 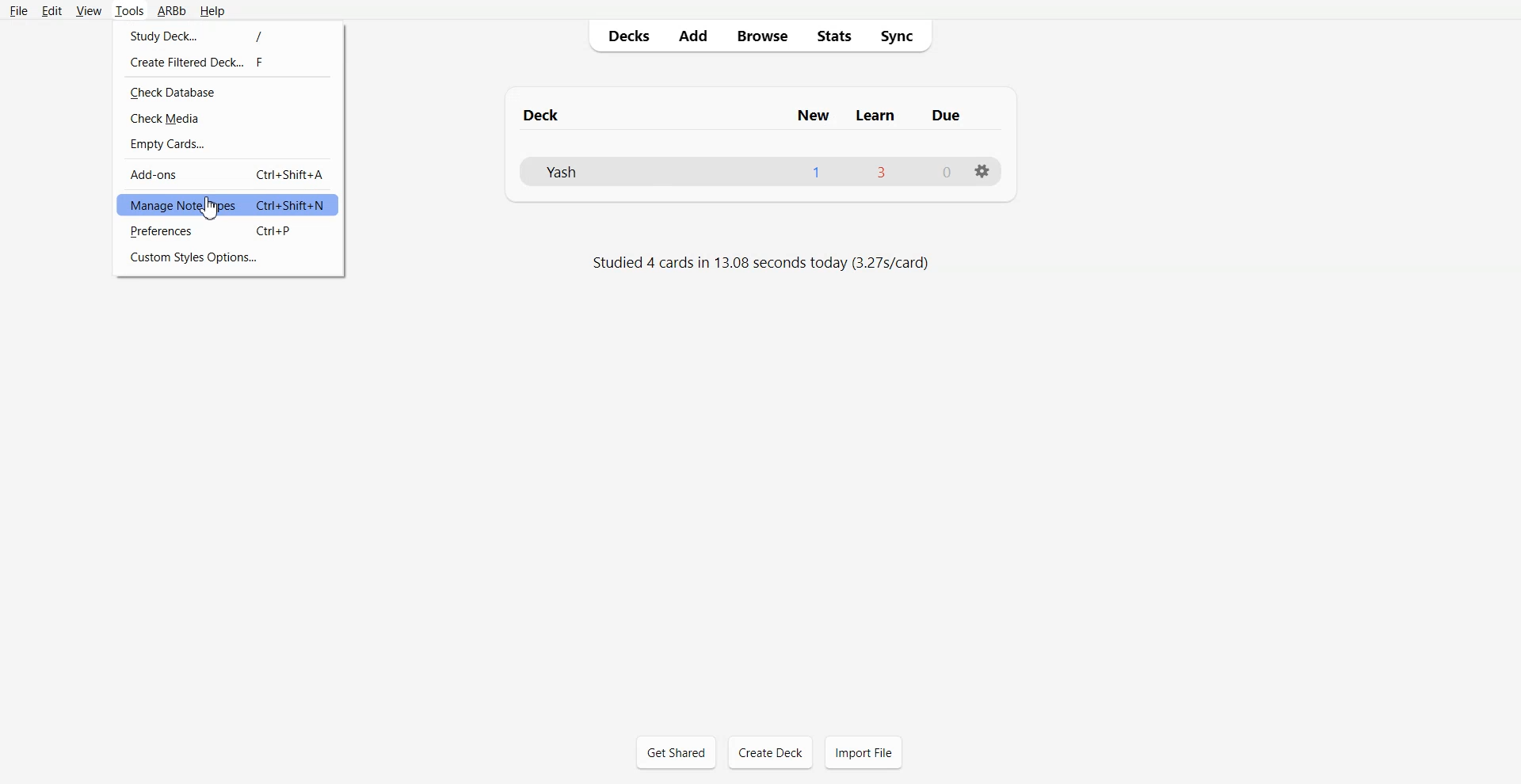 What do you see at coordinates (677, 752) in the screenshot?
I see `Get Shared` at bounding box center [677, 752].